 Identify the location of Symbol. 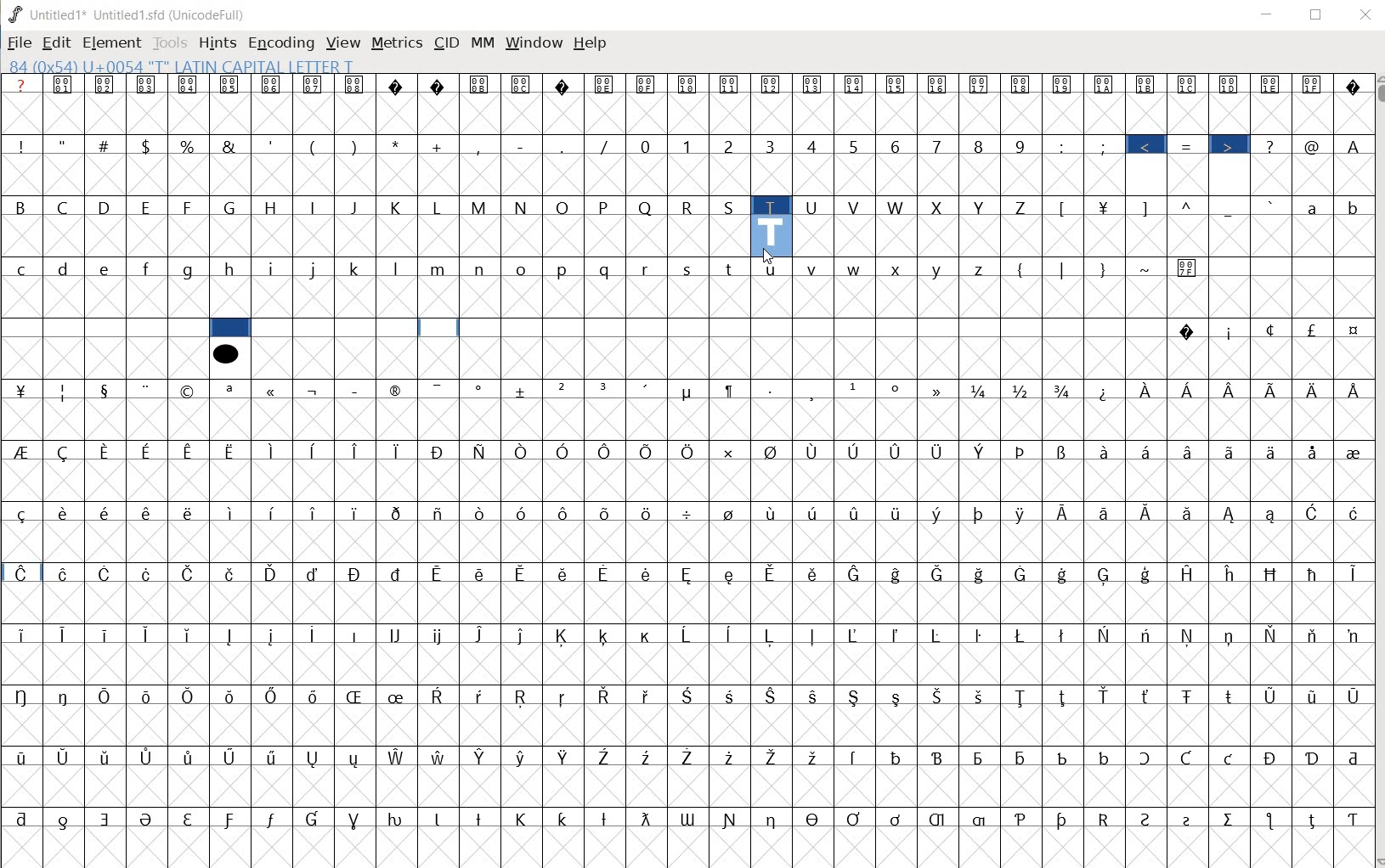
(189, 511).